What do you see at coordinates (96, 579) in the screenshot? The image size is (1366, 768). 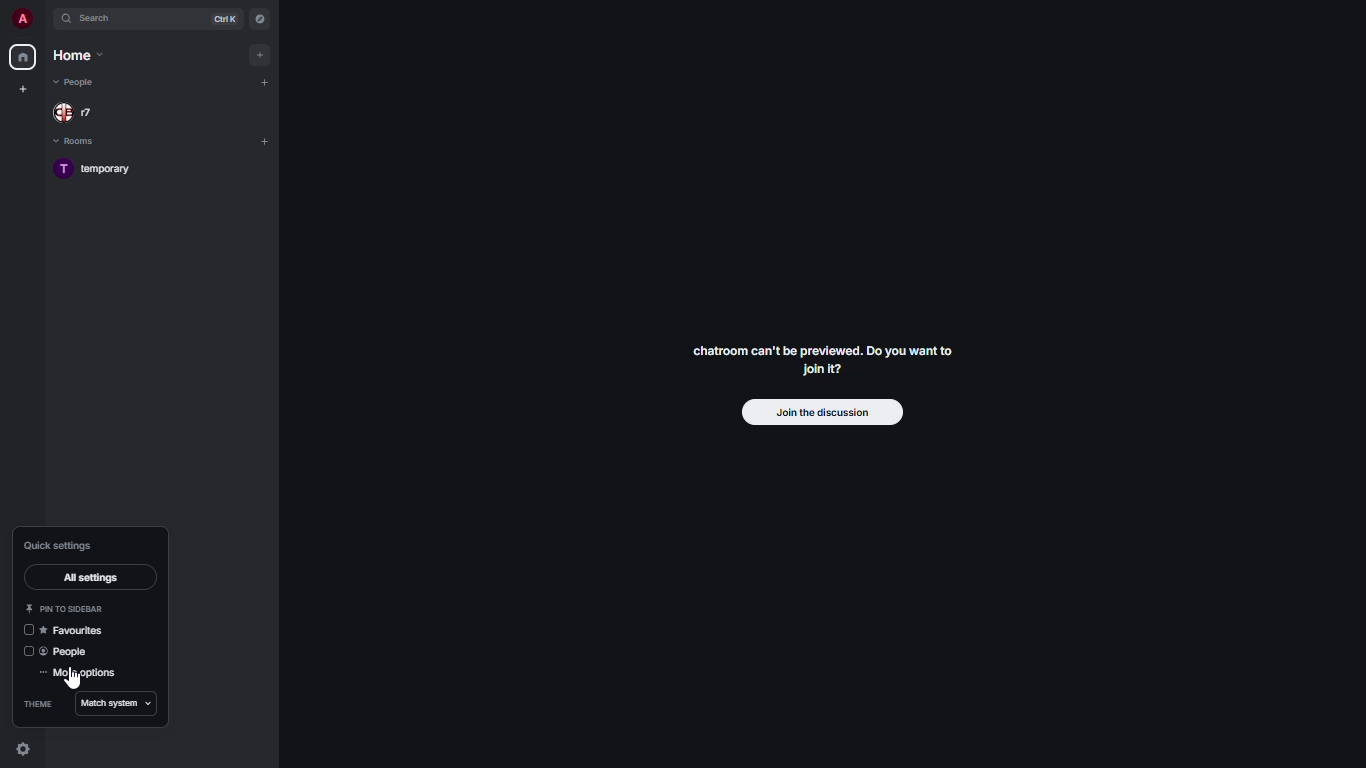 I see `all settings` at bounding box center [96, 579].